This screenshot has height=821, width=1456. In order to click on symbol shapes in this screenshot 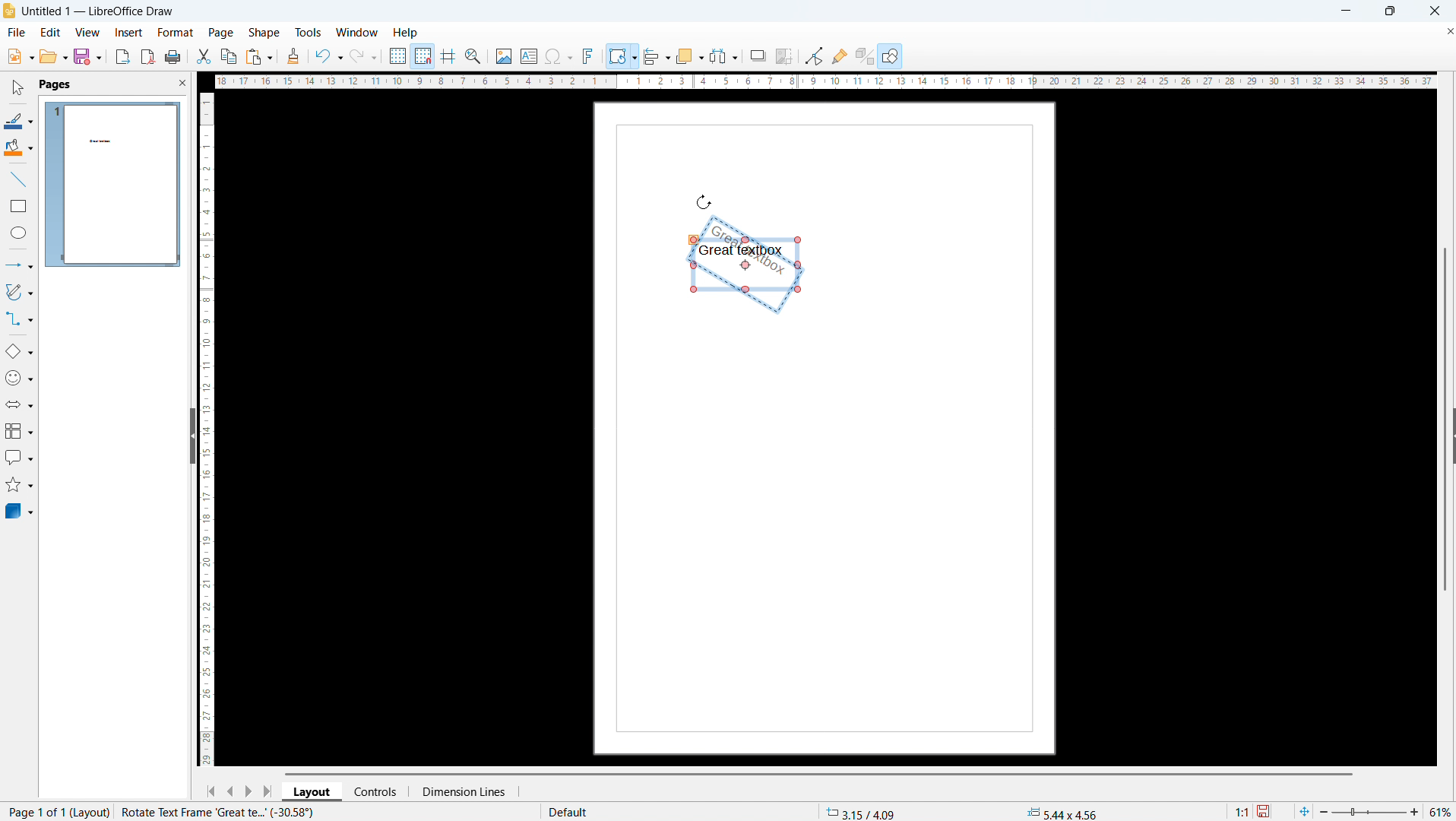, I will do `click(19, 378)`.